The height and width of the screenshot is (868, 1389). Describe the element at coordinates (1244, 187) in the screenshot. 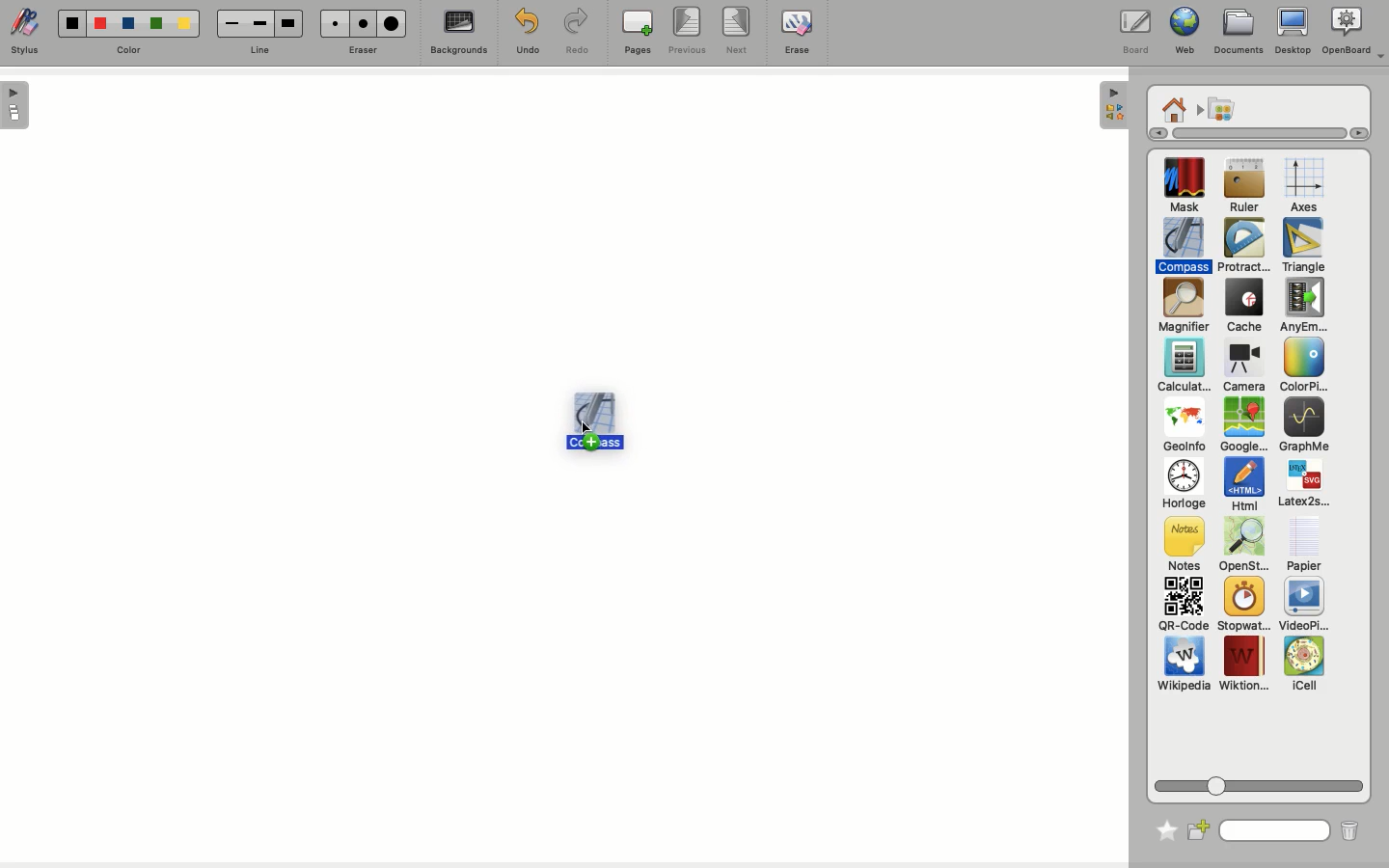

I see `Ruler` at that location.